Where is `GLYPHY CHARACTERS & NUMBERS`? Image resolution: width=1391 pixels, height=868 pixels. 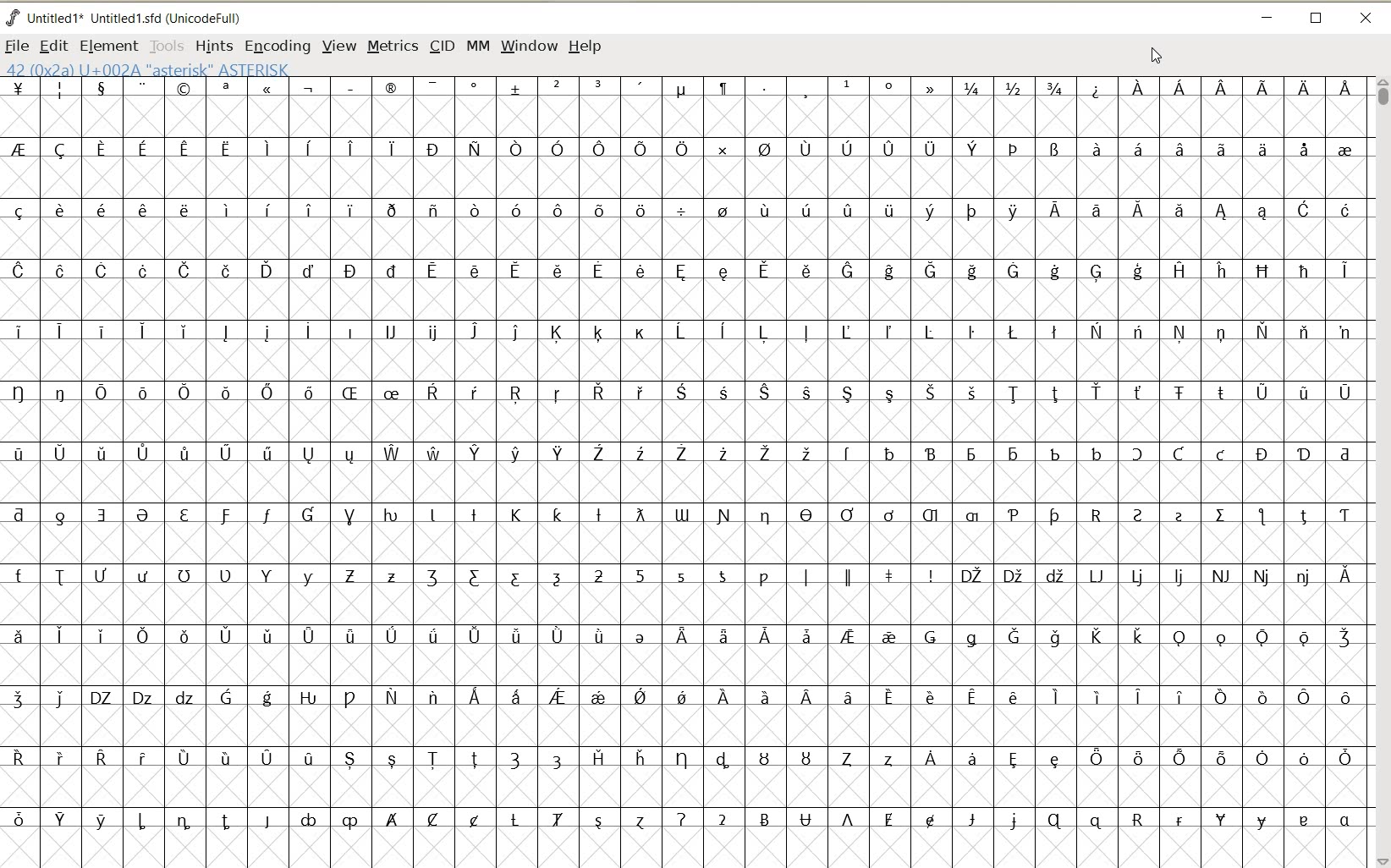
GLYPHY CHARACTERS & NUMBERS is located at coordinates (685, 467).